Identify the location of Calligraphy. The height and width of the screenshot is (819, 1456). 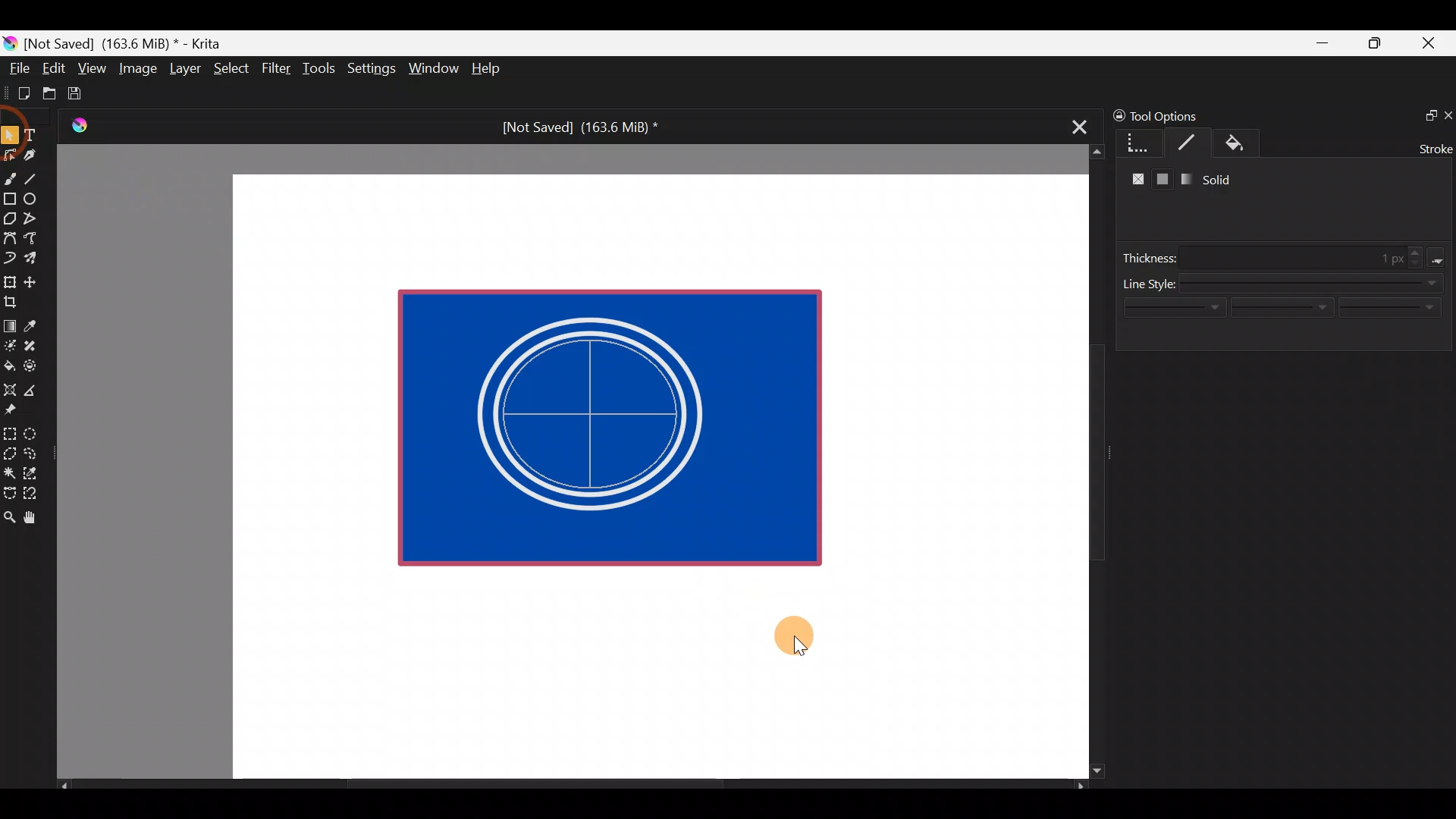
(41, 158).